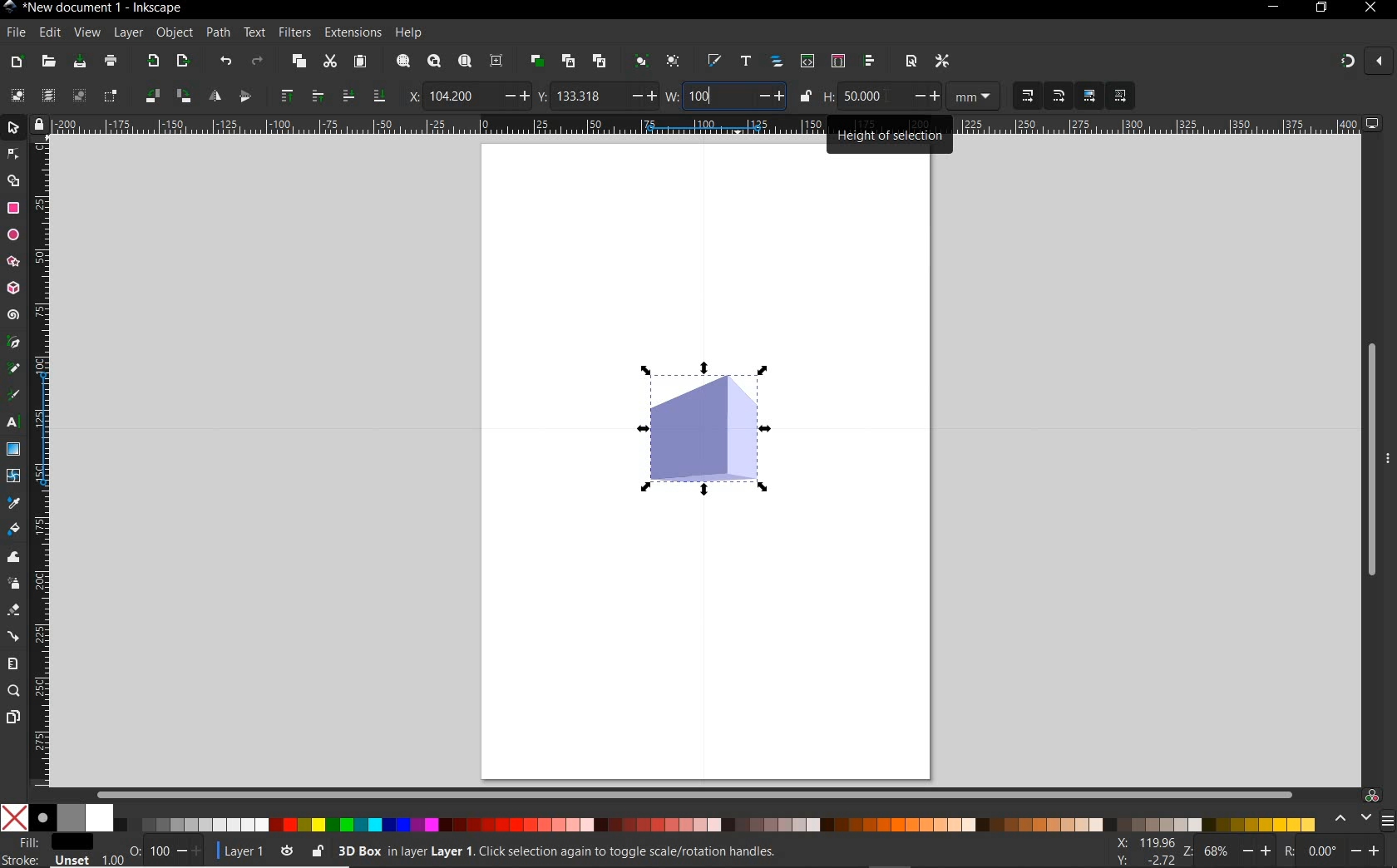 This screenshot has height=868, width=1397. I want to click on path, so click(216, 32).